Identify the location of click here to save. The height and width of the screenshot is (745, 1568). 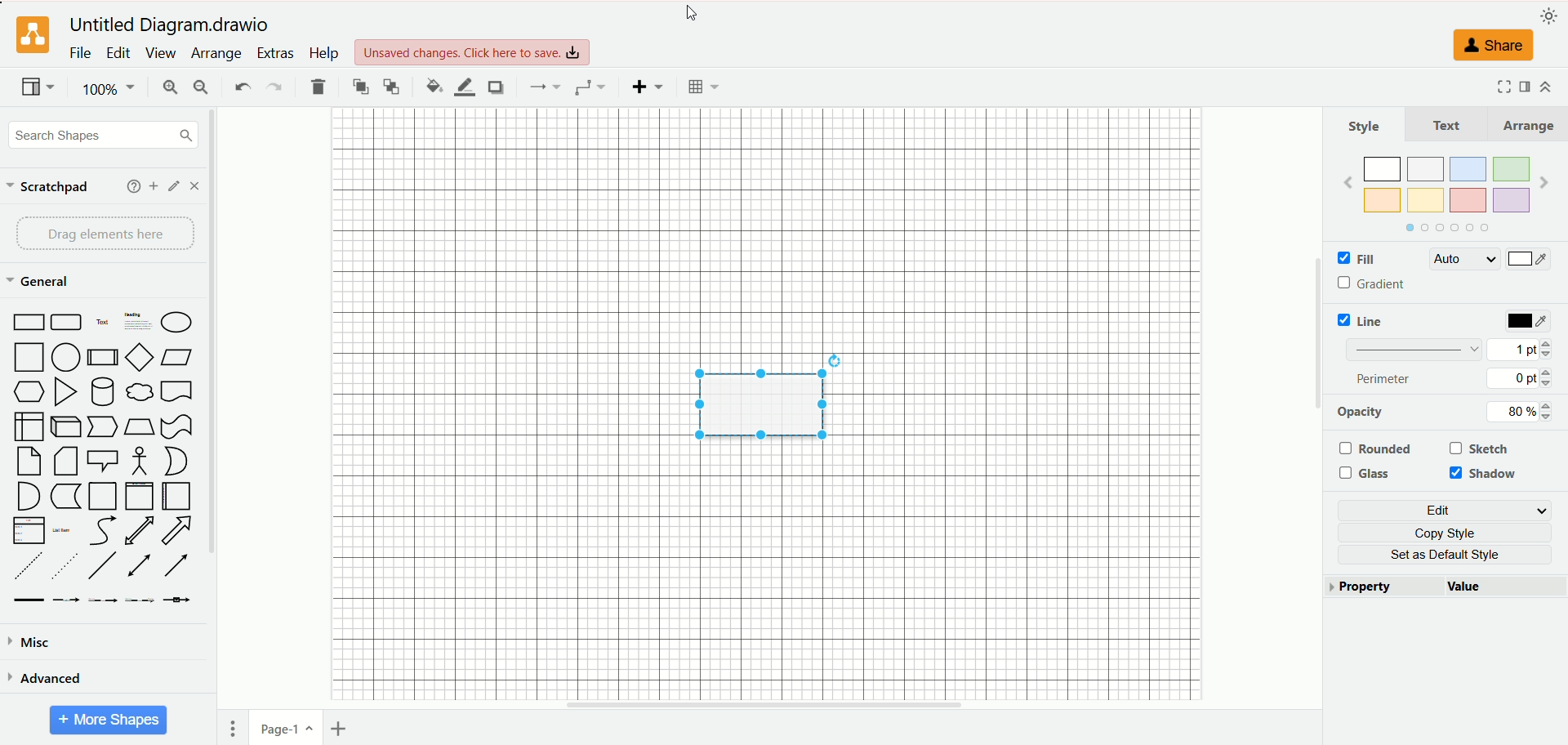
(474, 52).